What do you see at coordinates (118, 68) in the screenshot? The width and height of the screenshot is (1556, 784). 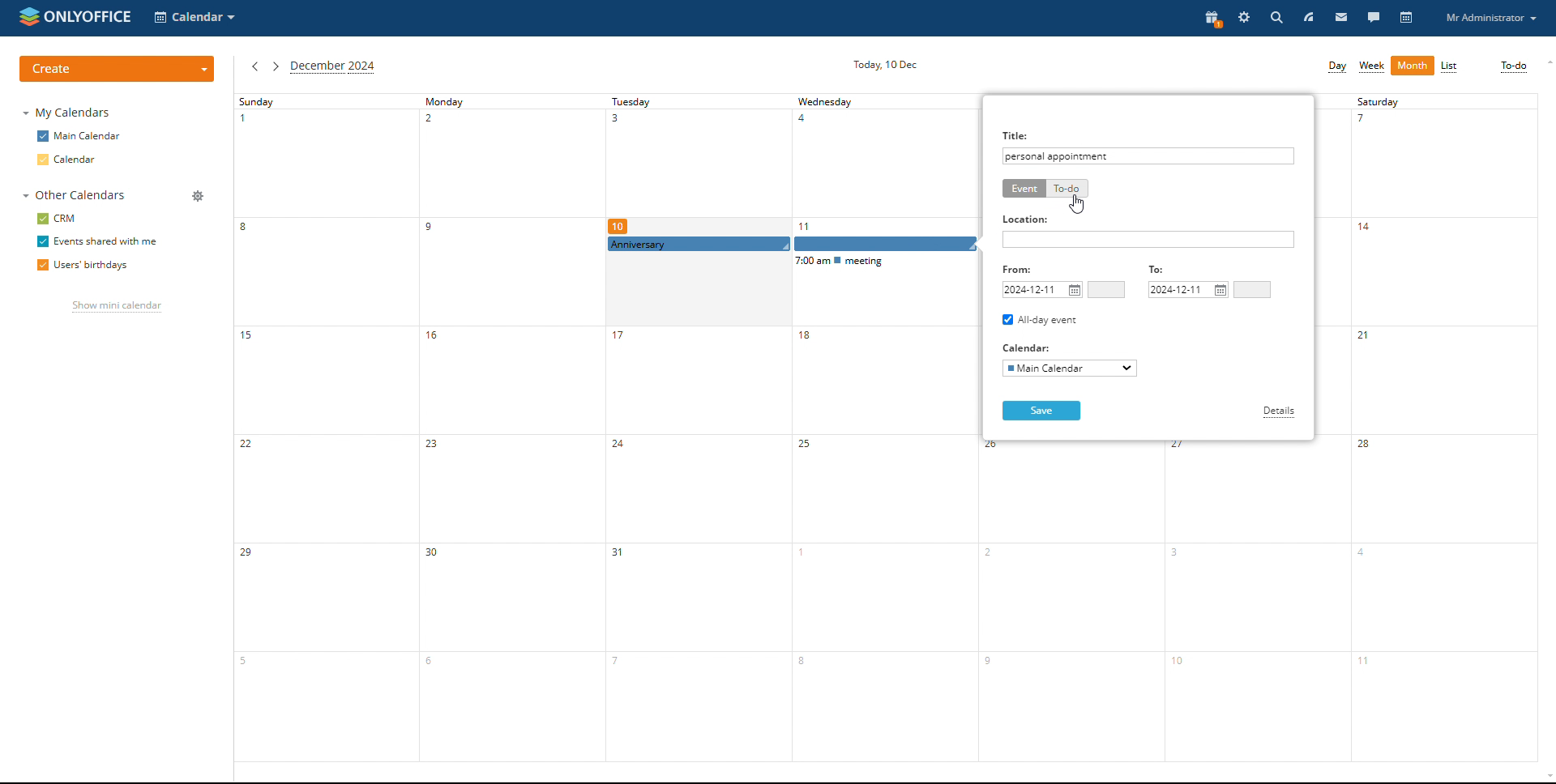 I see `create` at bounding box center [118, 68].